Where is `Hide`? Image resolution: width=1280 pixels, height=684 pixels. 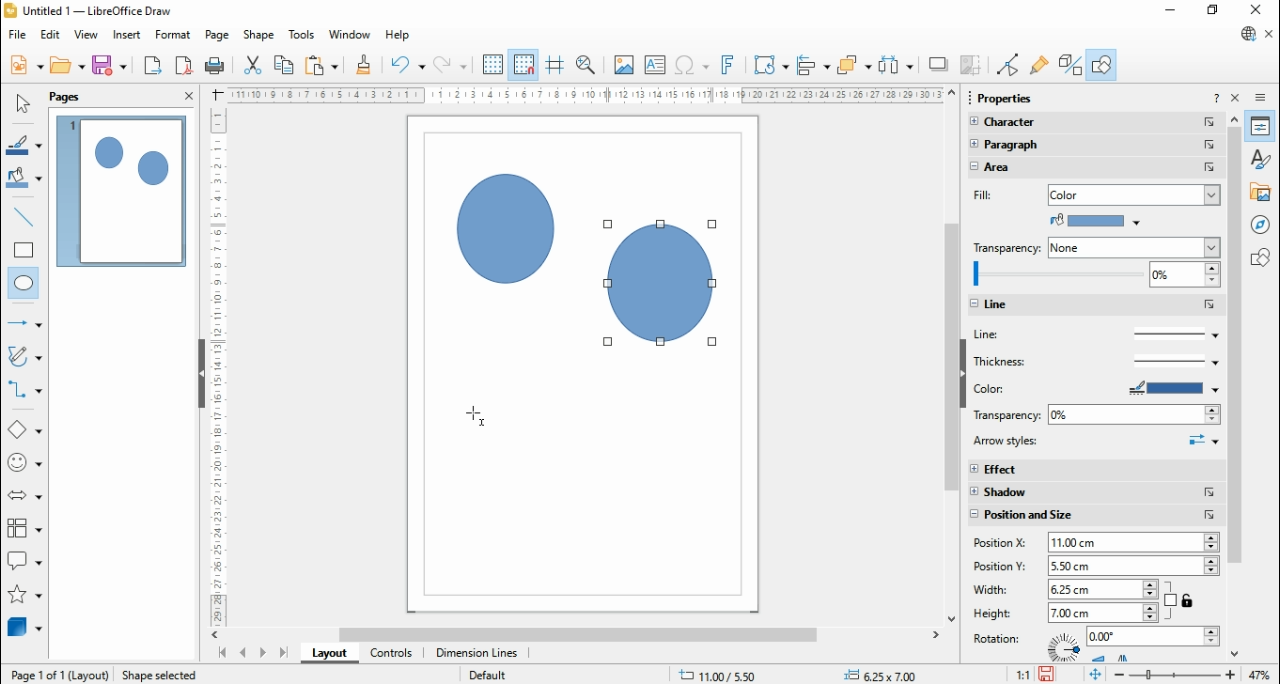 Hide is located at coordinates (201, 375).